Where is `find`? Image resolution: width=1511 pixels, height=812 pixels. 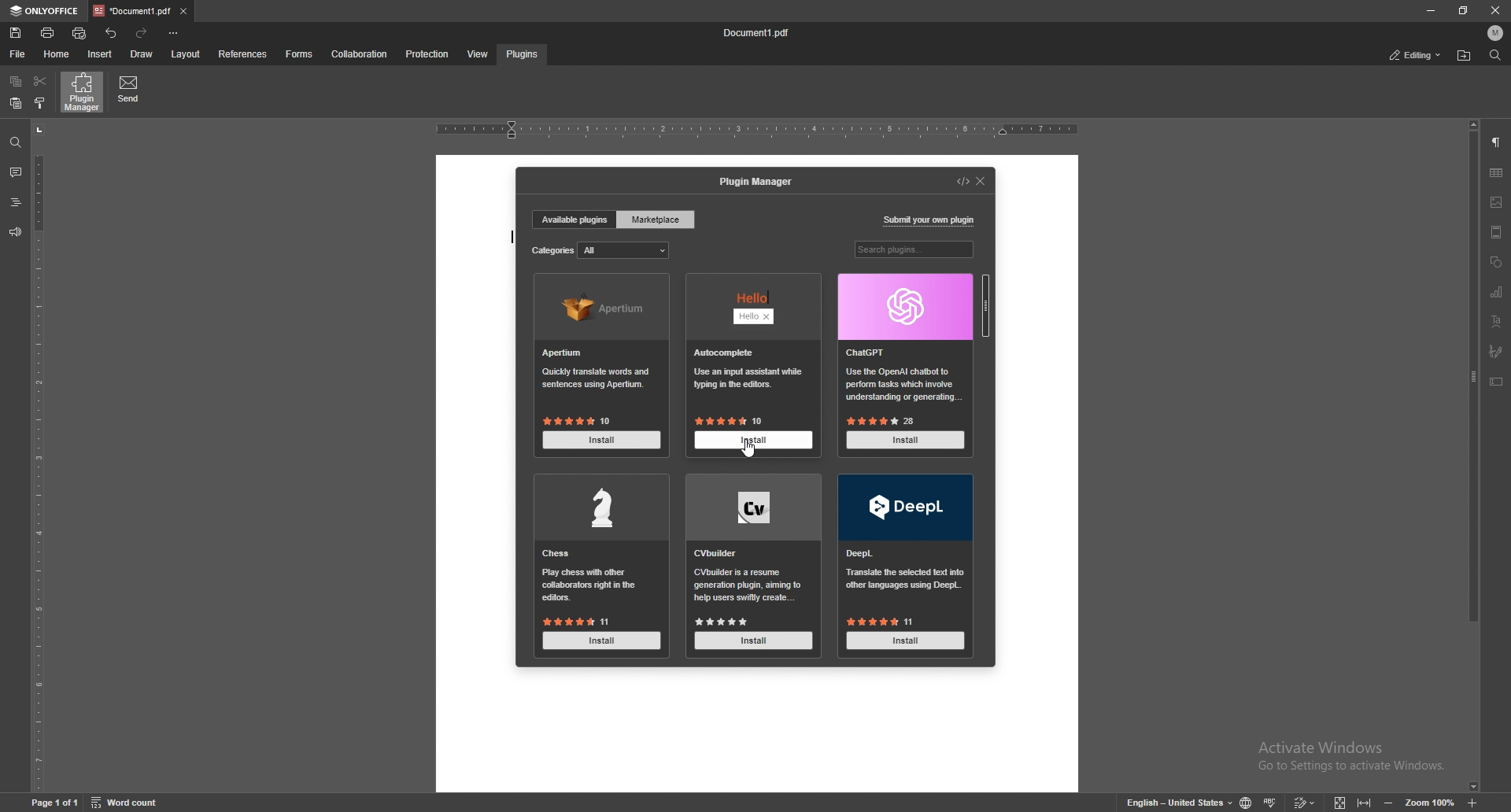
find is located at coordinates (1494, 57).